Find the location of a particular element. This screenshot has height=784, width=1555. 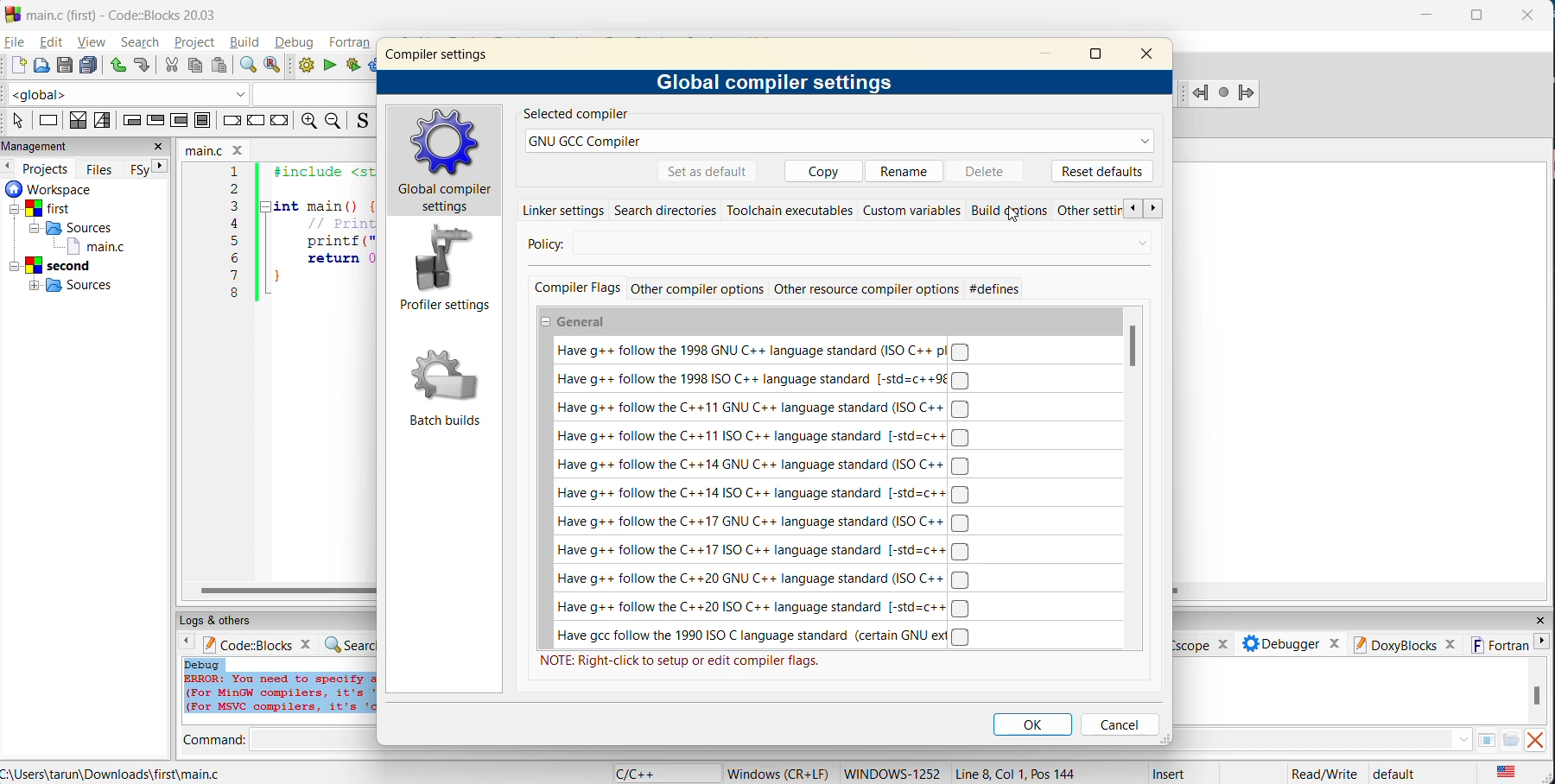

compiler settings is located at coordinates (443, 59).